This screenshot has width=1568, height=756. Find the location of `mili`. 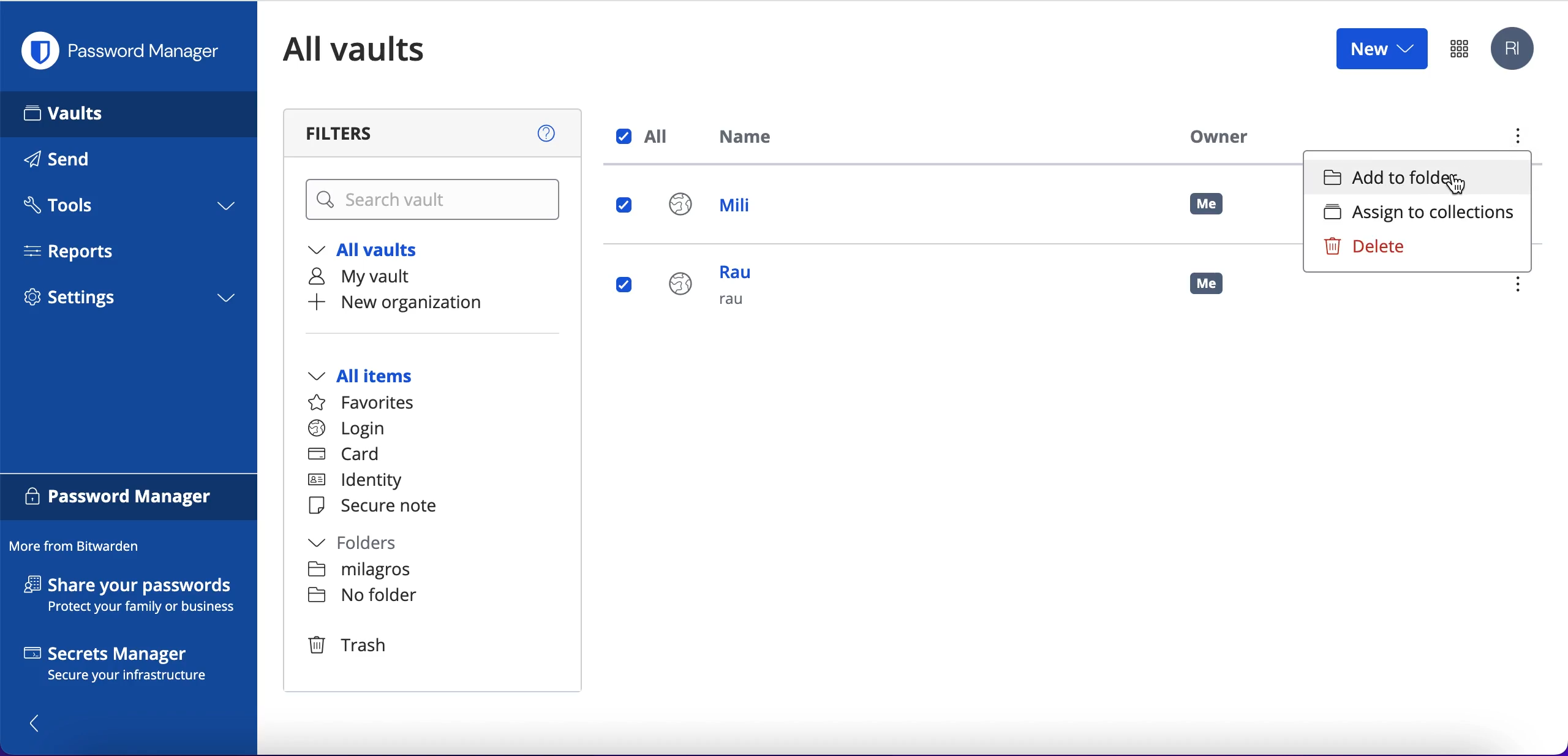

mili is located at coordinates (722, 208).